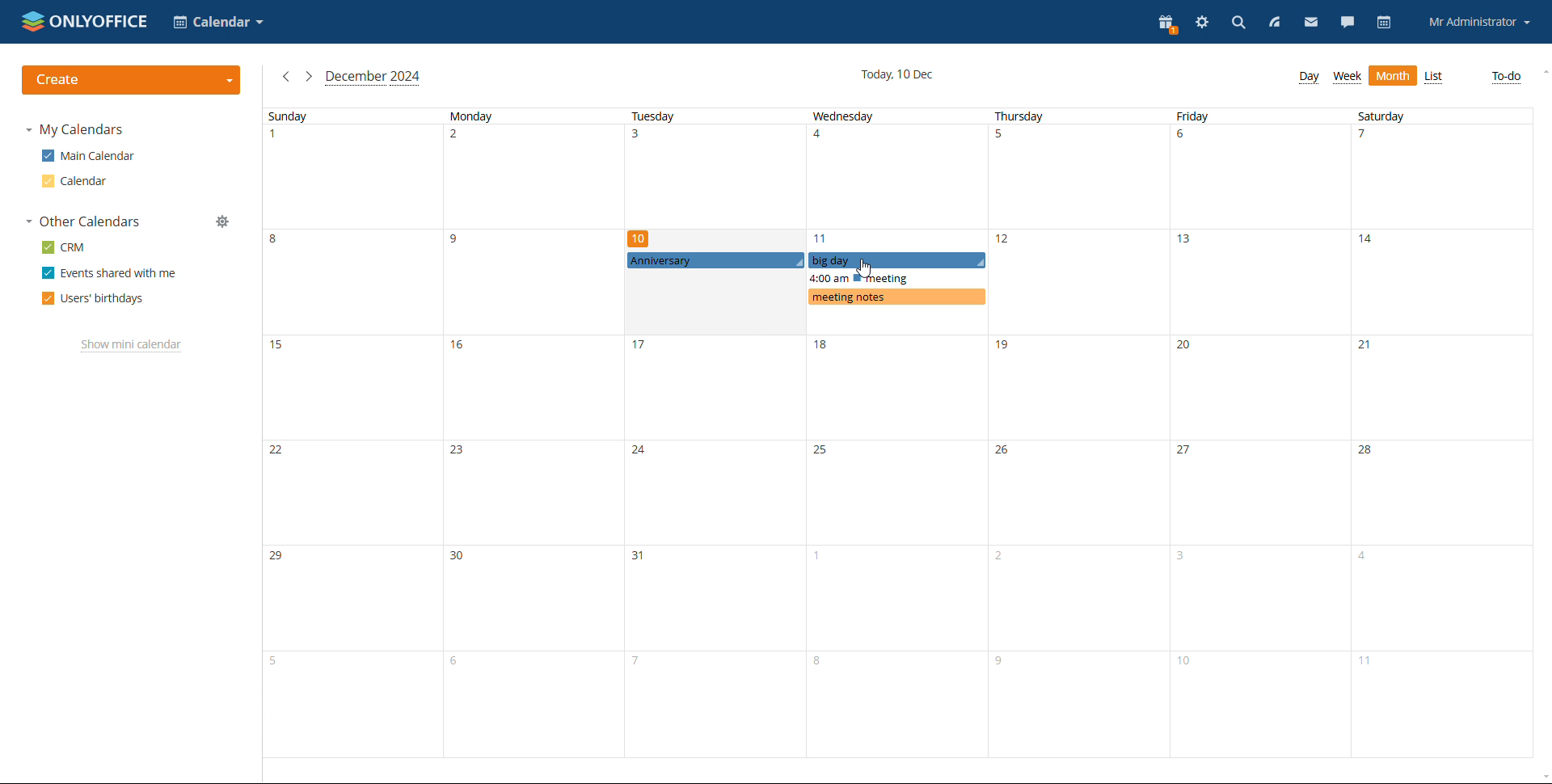  What do you see at coordinates (129, 345) in the screenshot?
I see `show mini calendar` at bounding box center [129, 345].